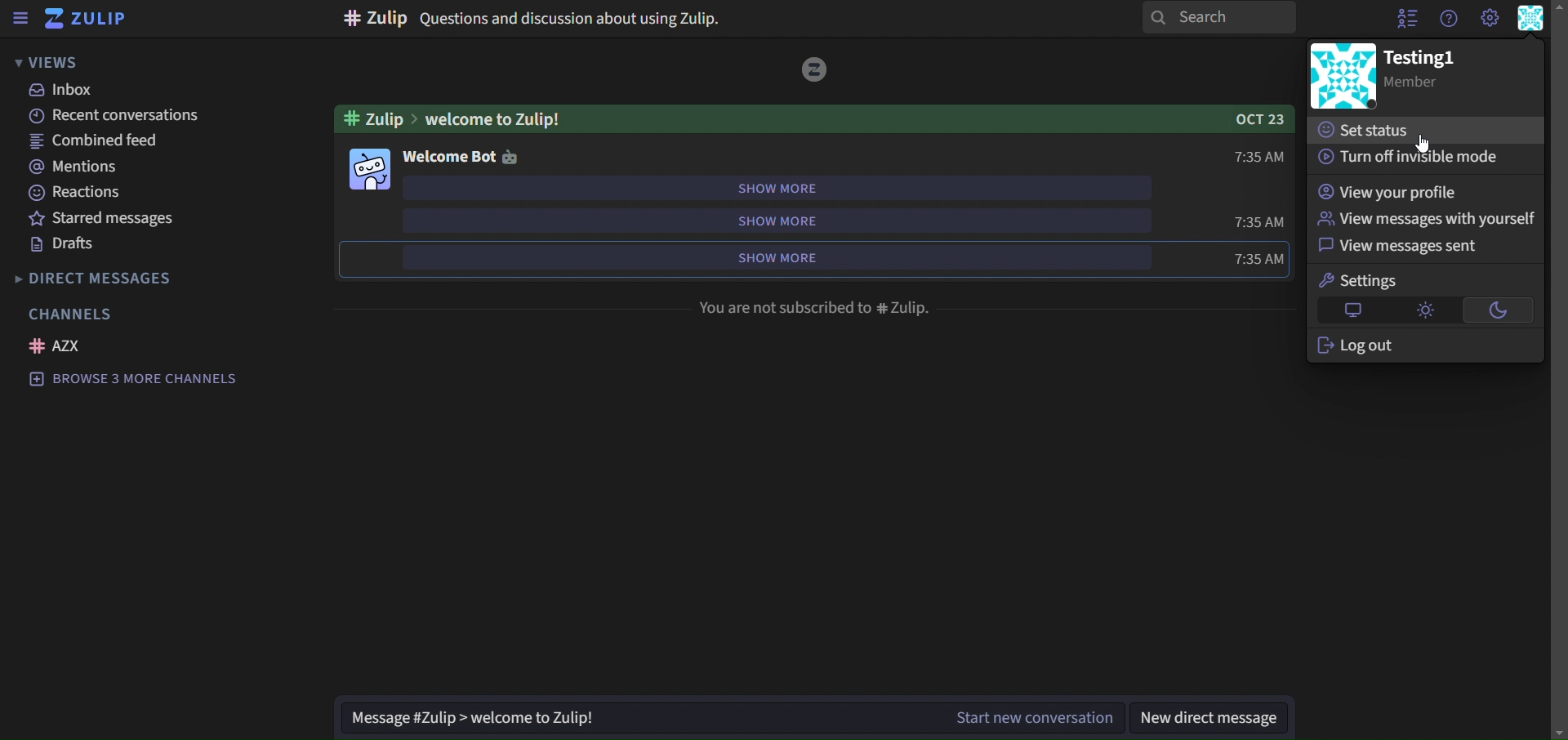  Describe the element at coordinates (1228, 257) in the screenshot. I see `7:35 am` at that location.